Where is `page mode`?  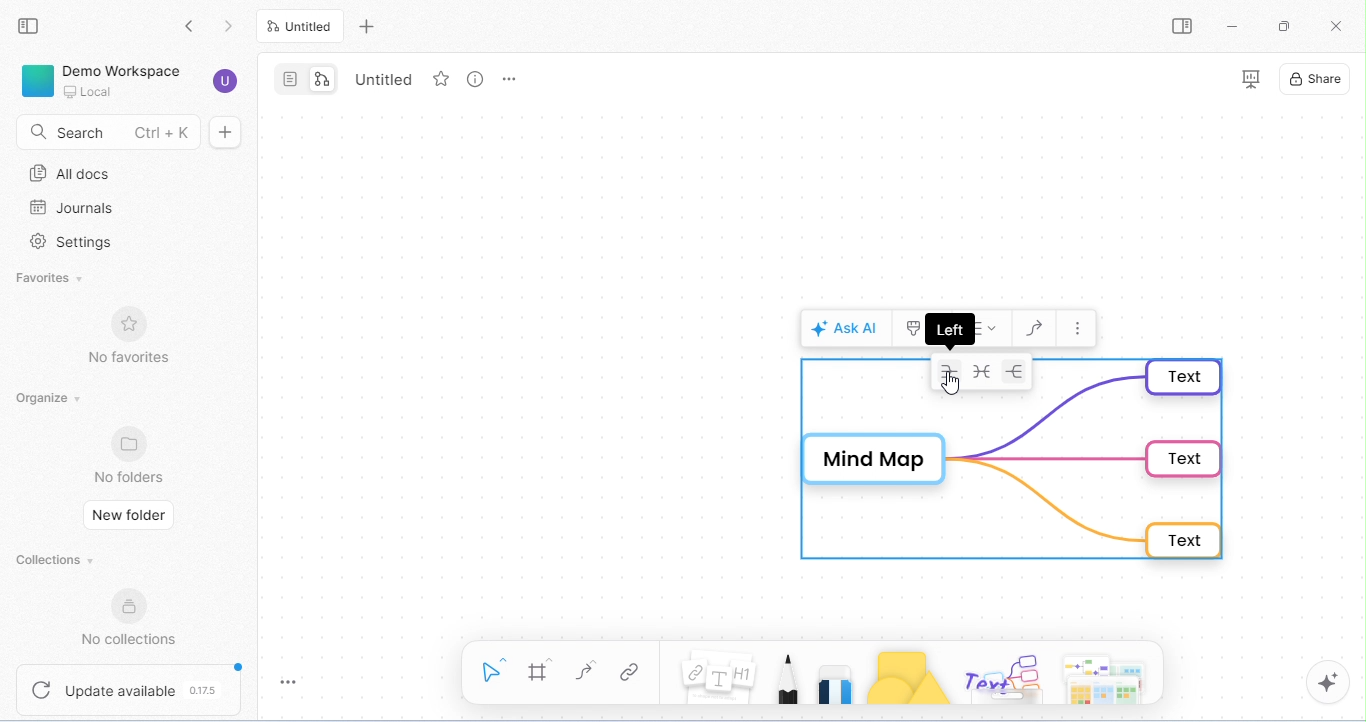 page mode is located at coordinates (289, 78).